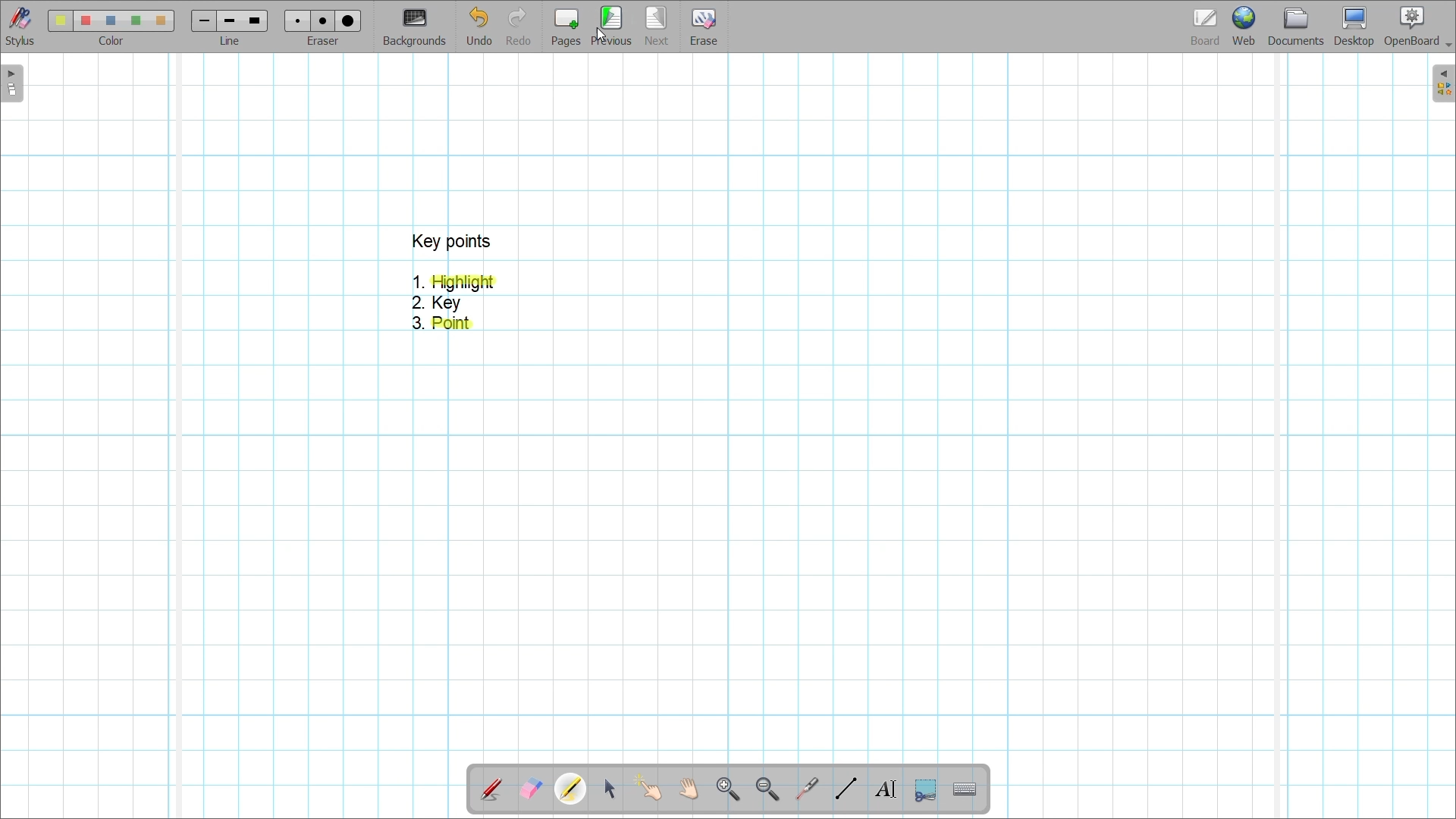 Image resolution: width=1456 pixels, height=819 pixels. I want to click on Add page, so click(566, 27).